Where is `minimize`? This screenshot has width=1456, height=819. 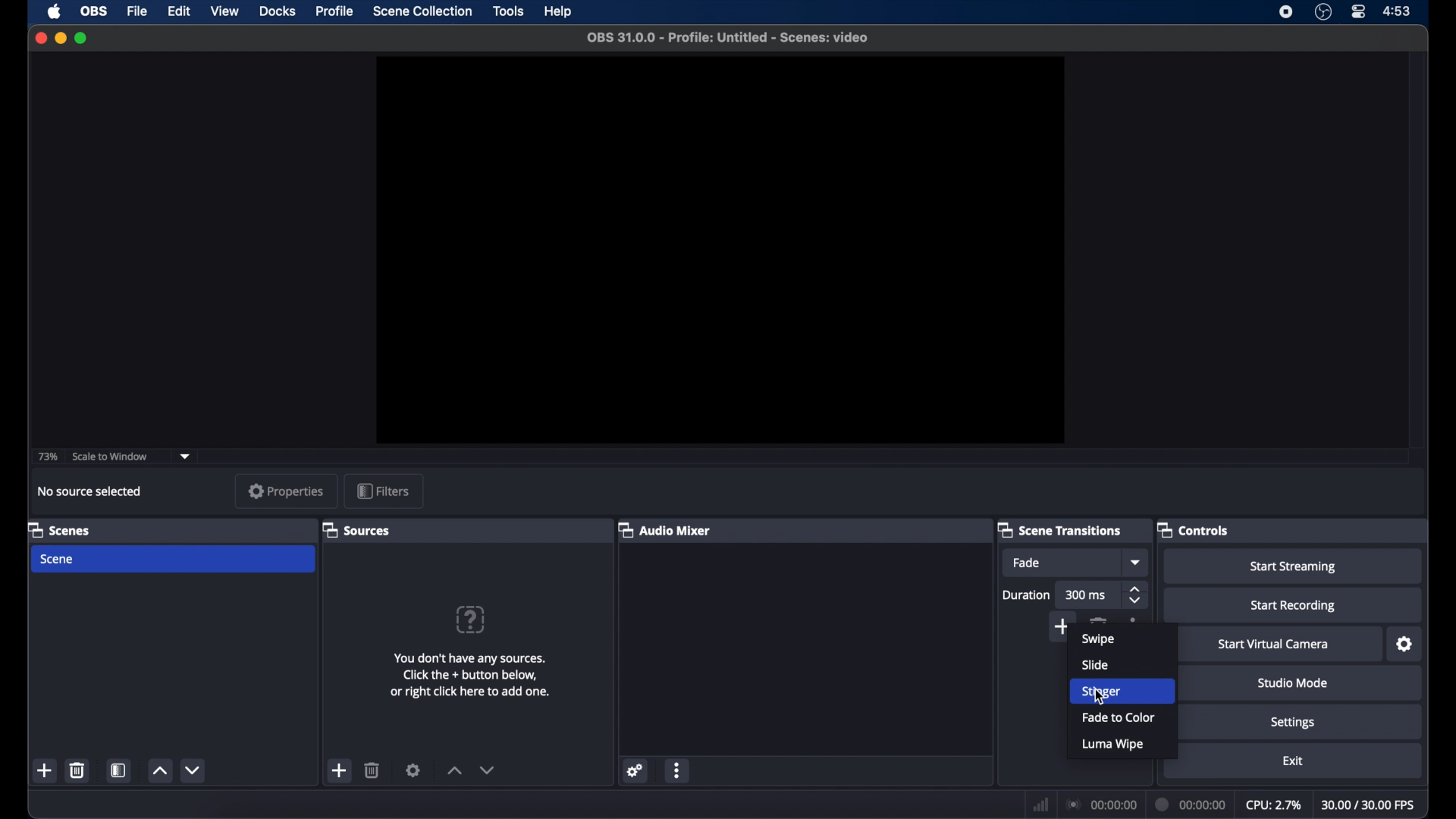
minimize is located at coordinates (60, 38).